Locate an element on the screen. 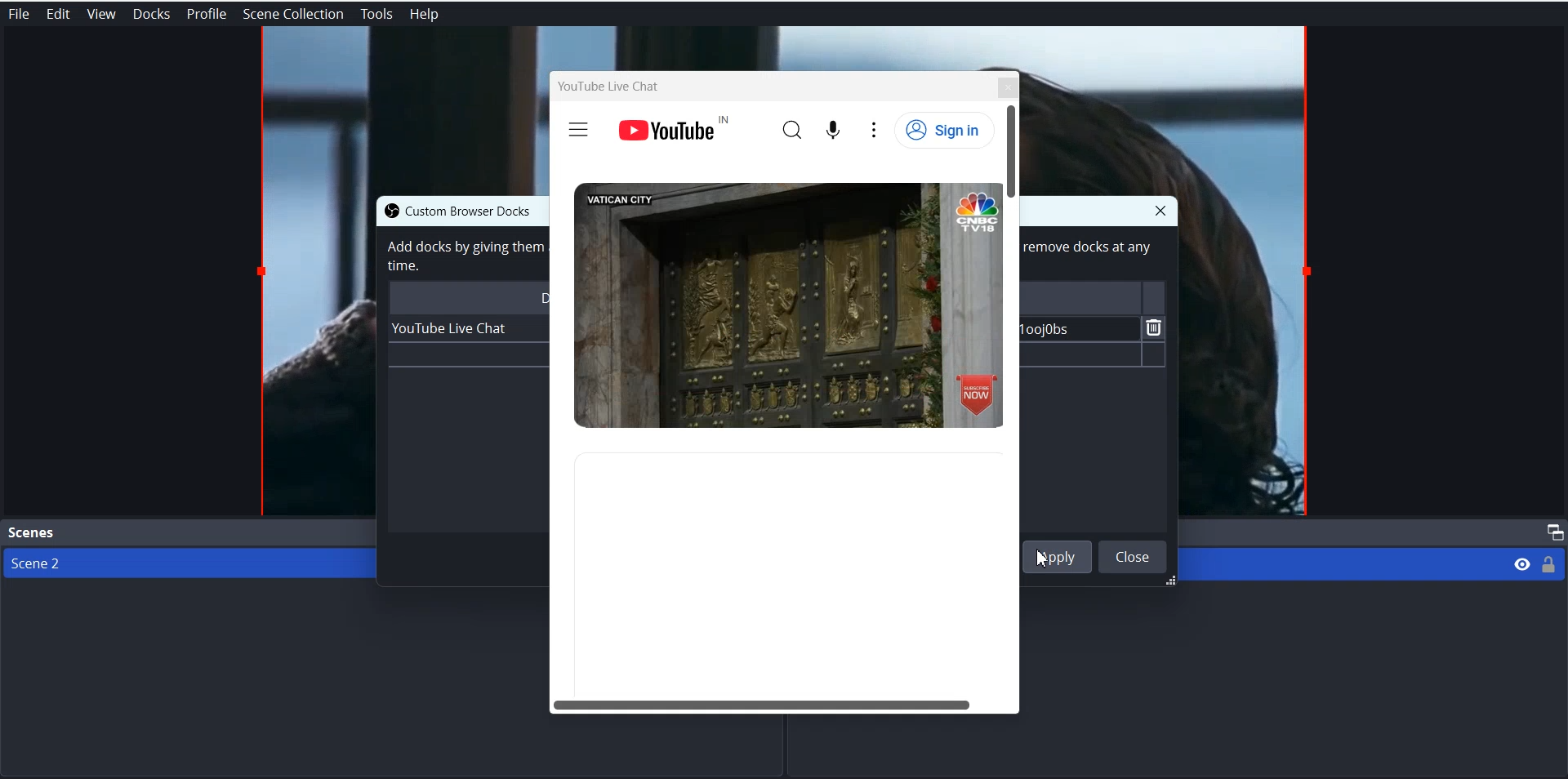  Dock Name is located at coordinates (466, 297).